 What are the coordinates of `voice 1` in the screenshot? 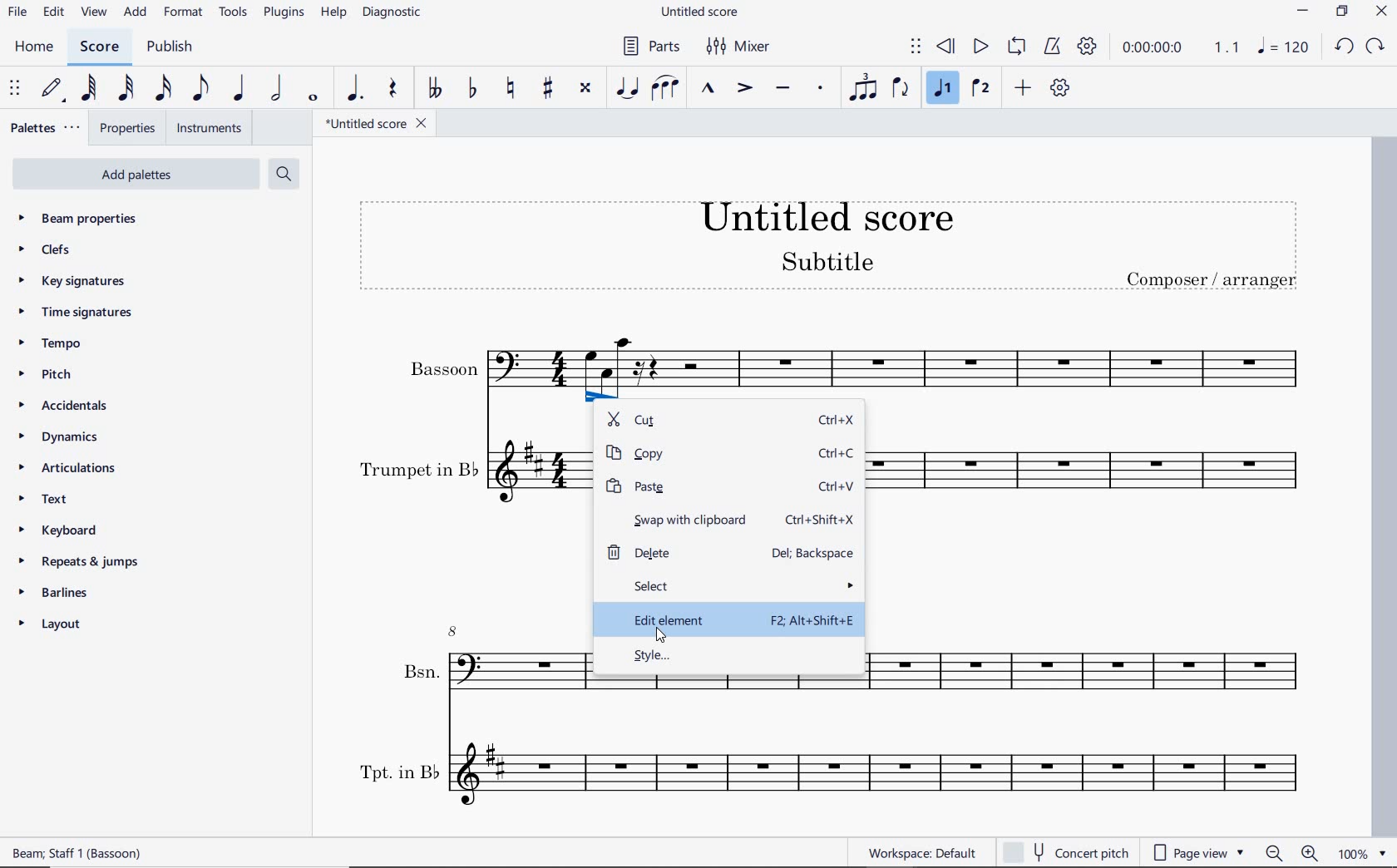 It's located at (940, 89).